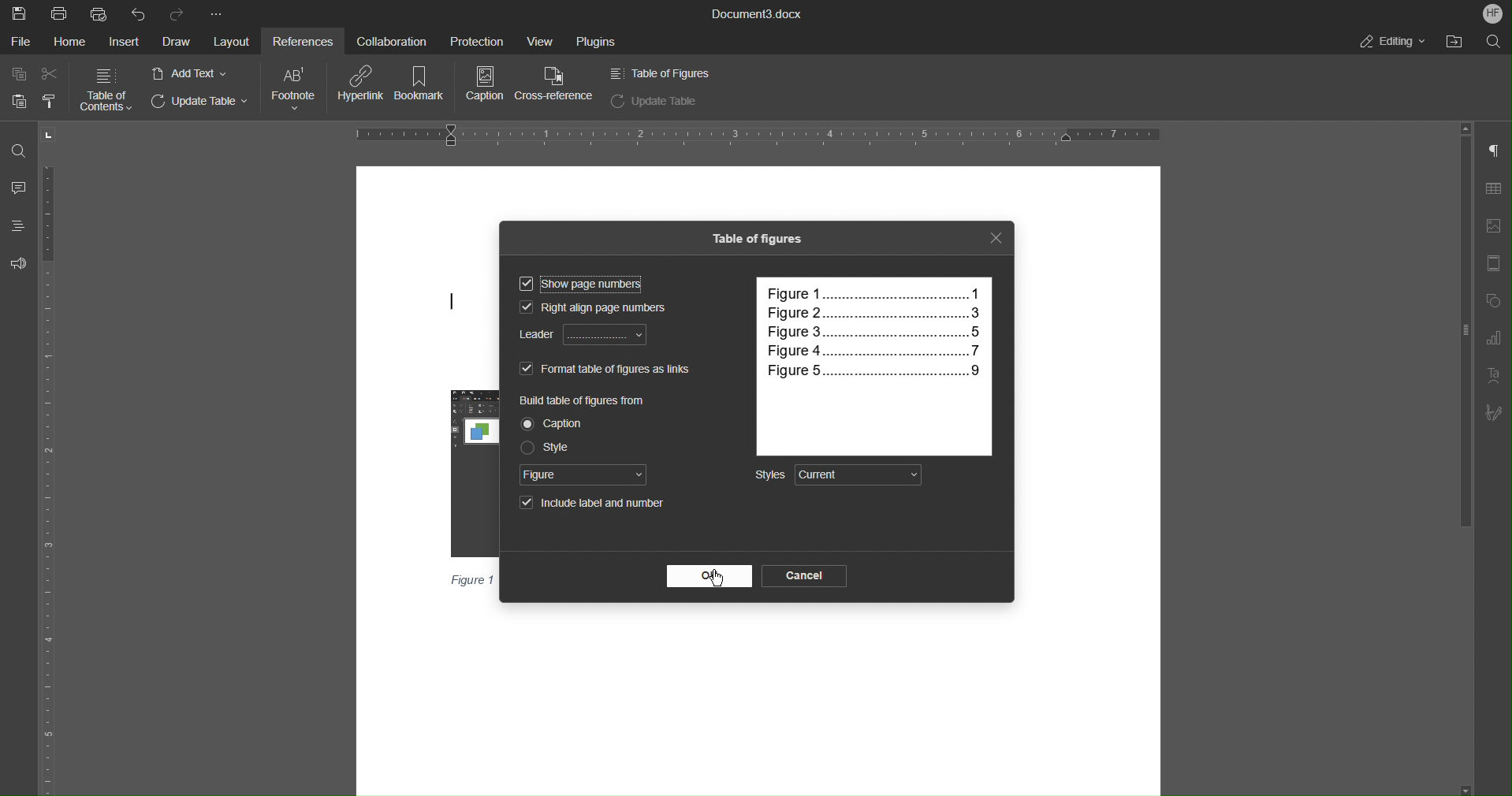 This screenshot has height=796, width=1512. I want to click on Style, so click(546, 448).